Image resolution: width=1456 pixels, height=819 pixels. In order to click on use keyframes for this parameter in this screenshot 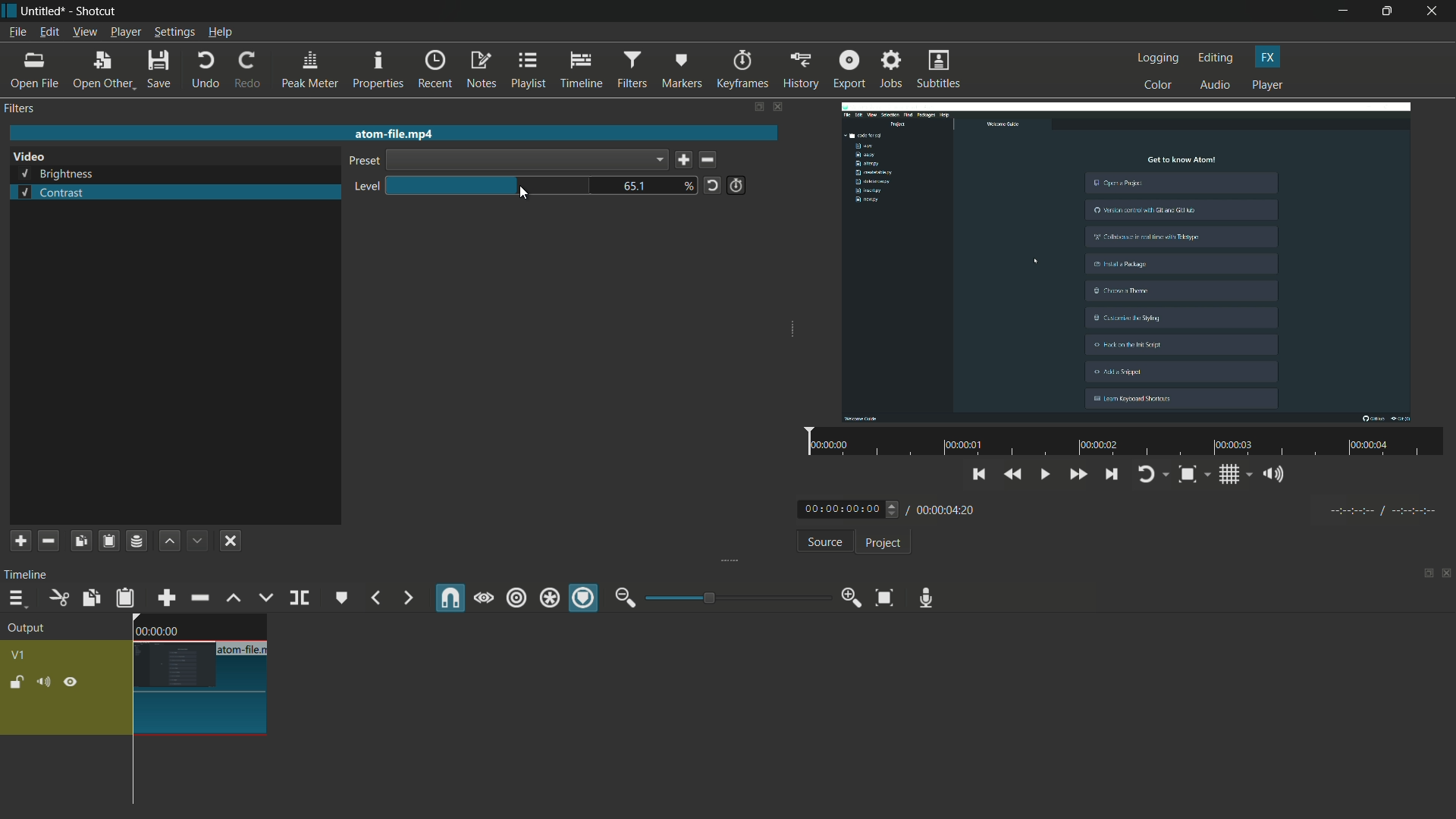, I will do `click(736, 185)`.